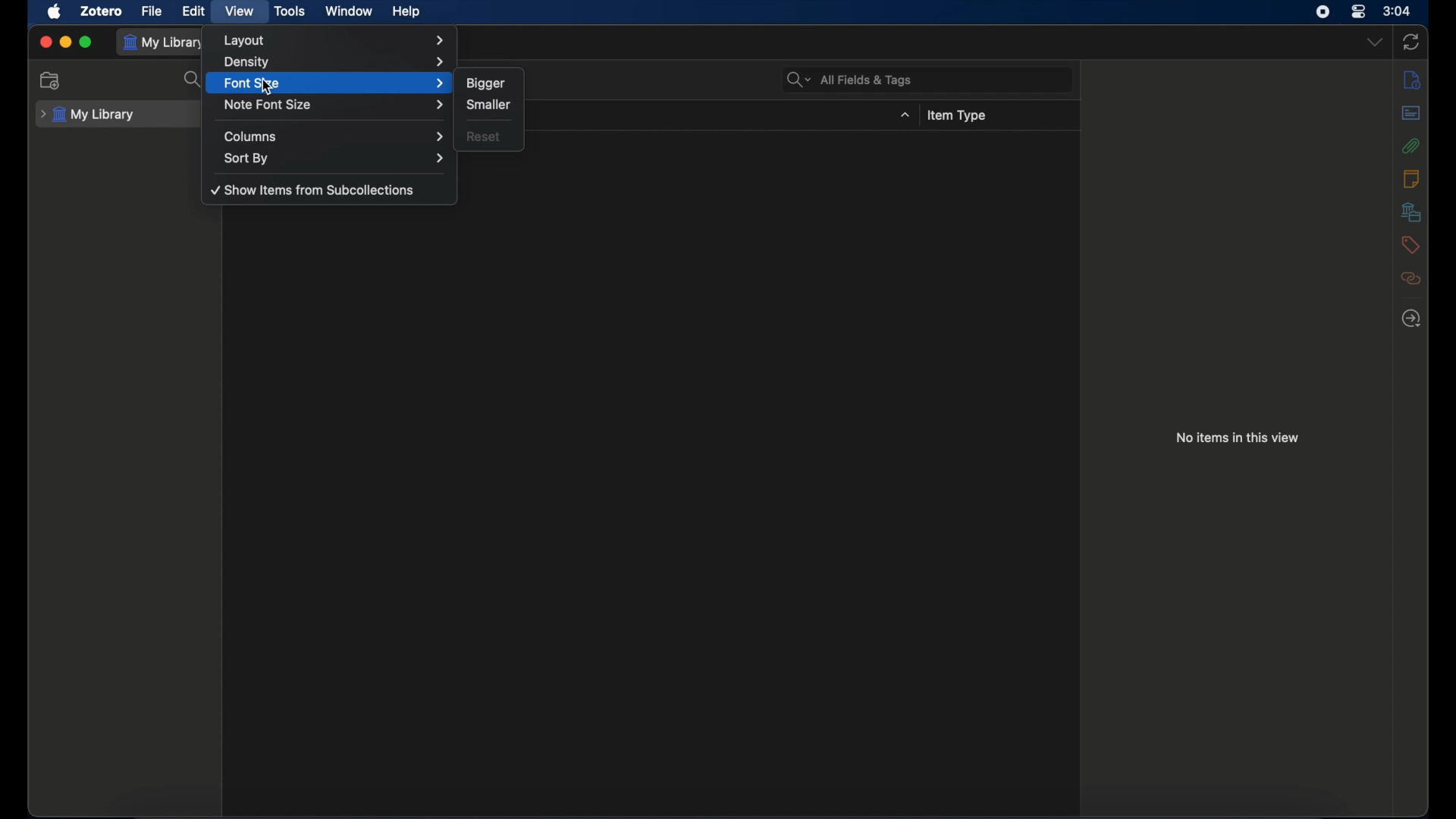 Image resolution: width=1456 pixels, height=819 pixels. I want to click on window, so click(350, 11).